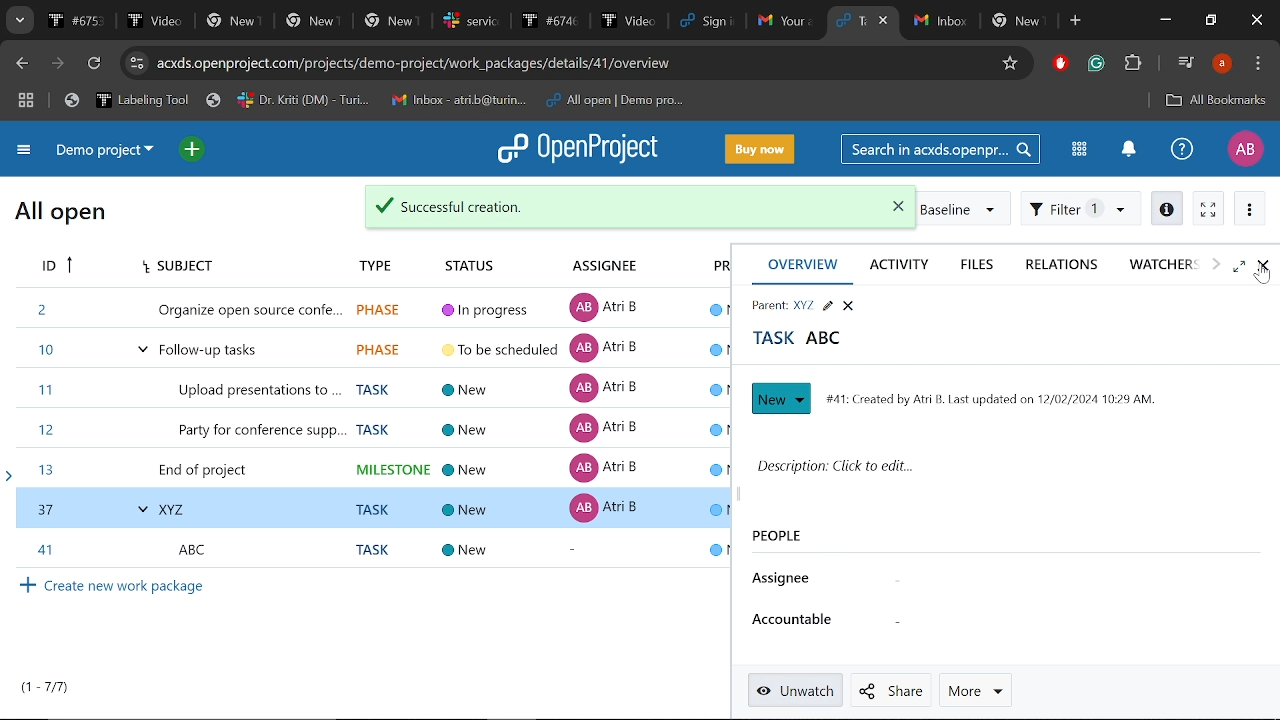 This screenshot has width=1280, height=720. What do you see at coordinates (848, 304) in the screenshot?
I see `Close` at bounding box center [848, 304].